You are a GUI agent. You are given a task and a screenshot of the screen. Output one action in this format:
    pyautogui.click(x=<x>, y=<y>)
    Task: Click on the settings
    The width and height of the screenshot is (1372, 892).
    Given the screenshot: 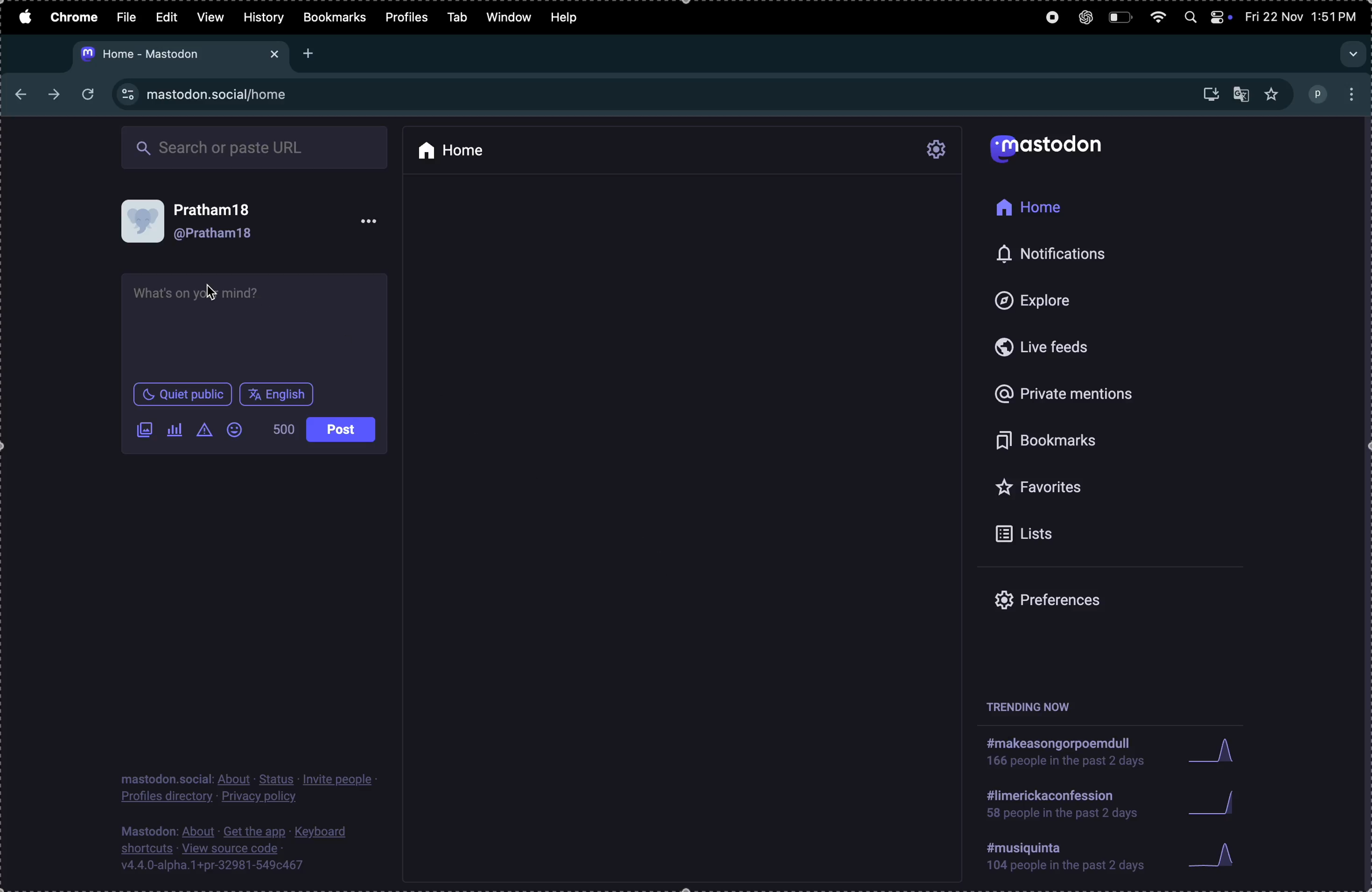 What is the action you would take?
    pyautogui.click(x=937, y=150)
    